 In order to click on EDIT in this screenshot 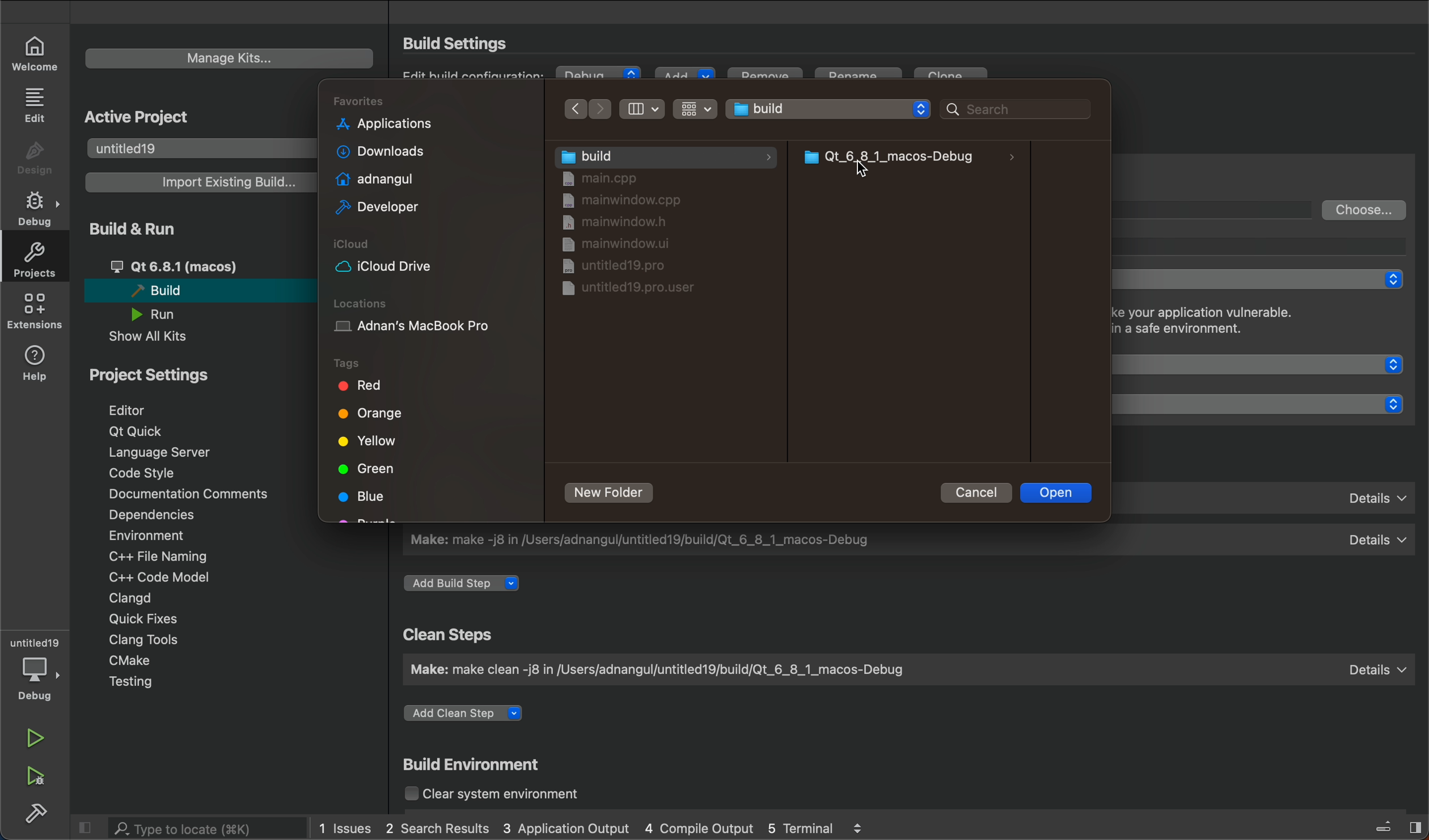, I will do `click(37, 104)`.